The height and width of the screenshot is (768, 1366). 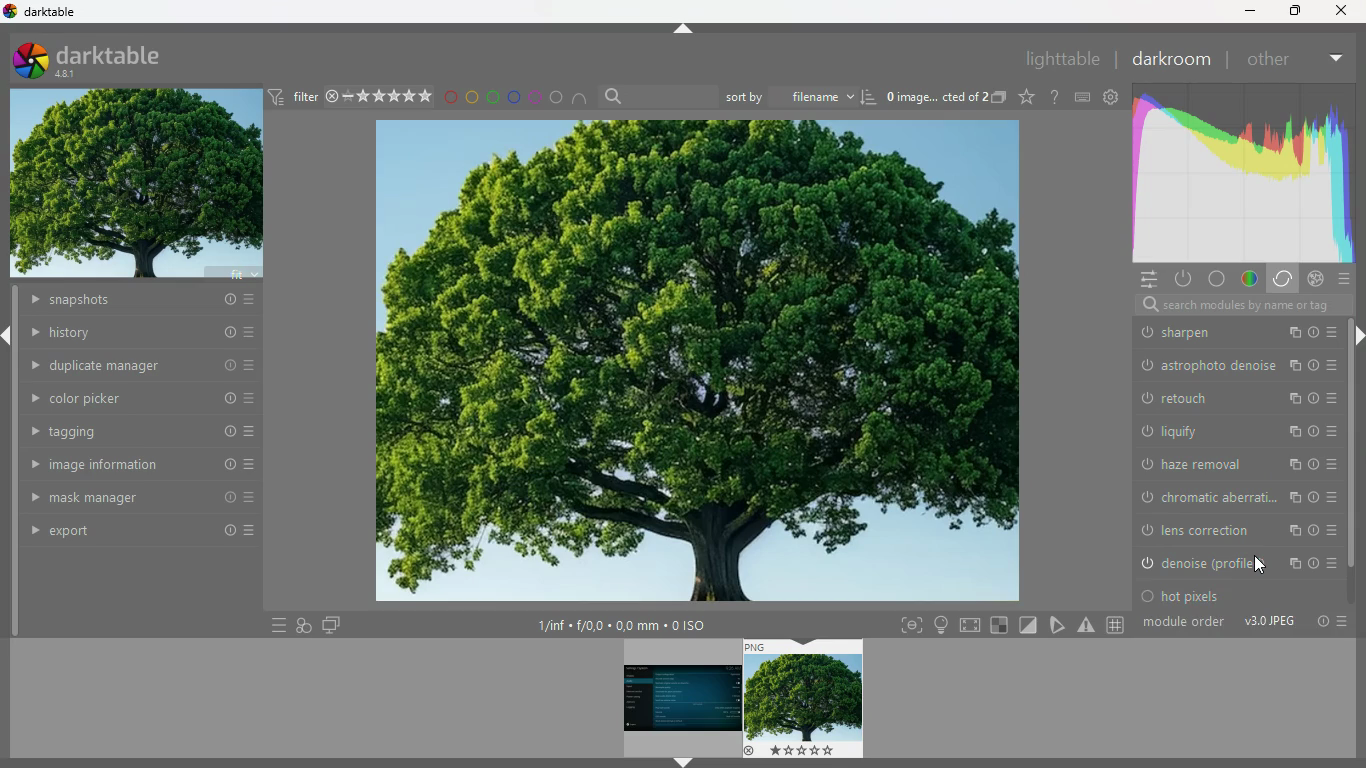 What do you see at coordinates (1338, 55) in the screenshot?
I see `more` at bounding box center [1338, 55].